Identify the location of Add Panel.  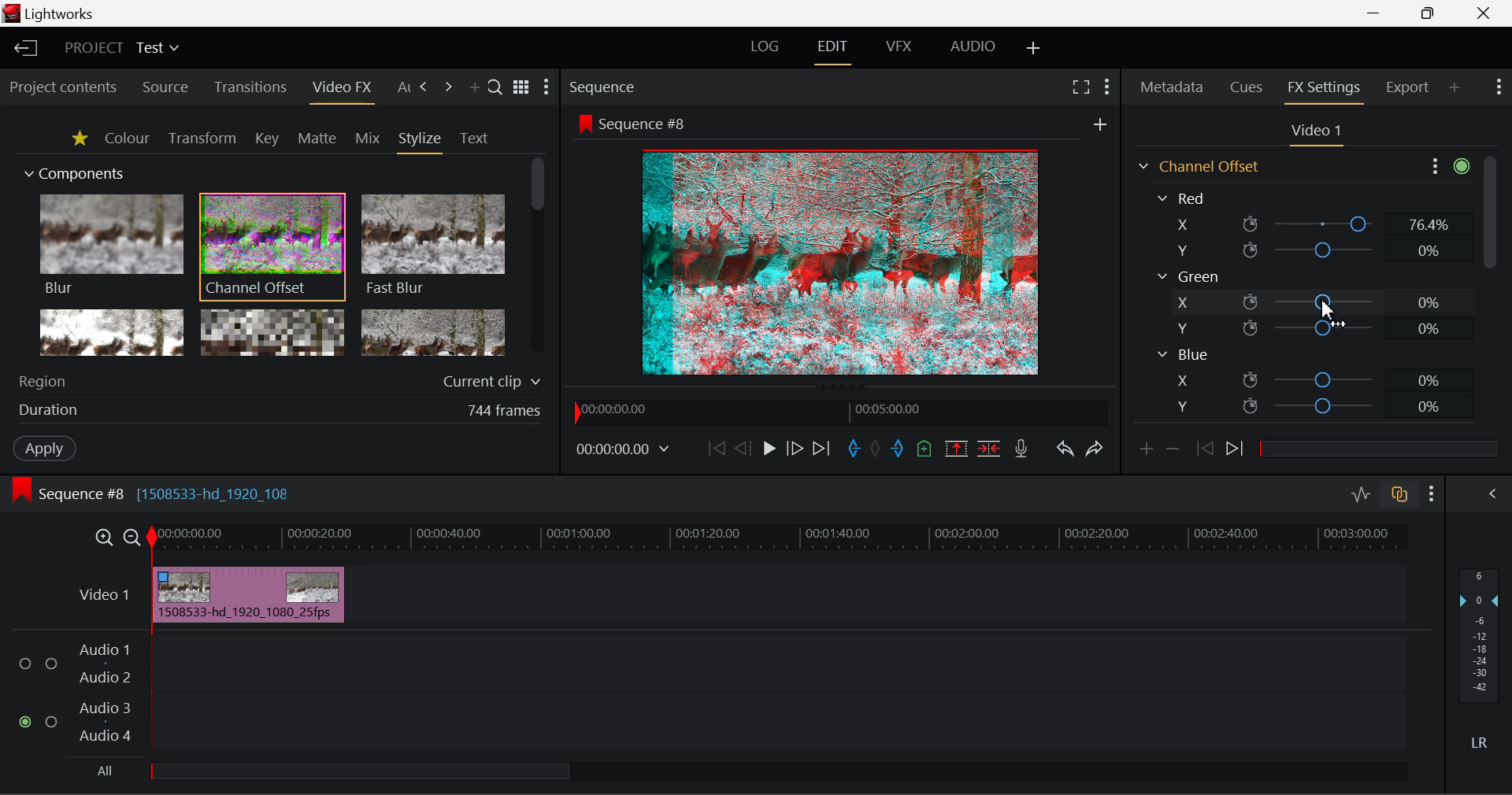
(1454, 88).